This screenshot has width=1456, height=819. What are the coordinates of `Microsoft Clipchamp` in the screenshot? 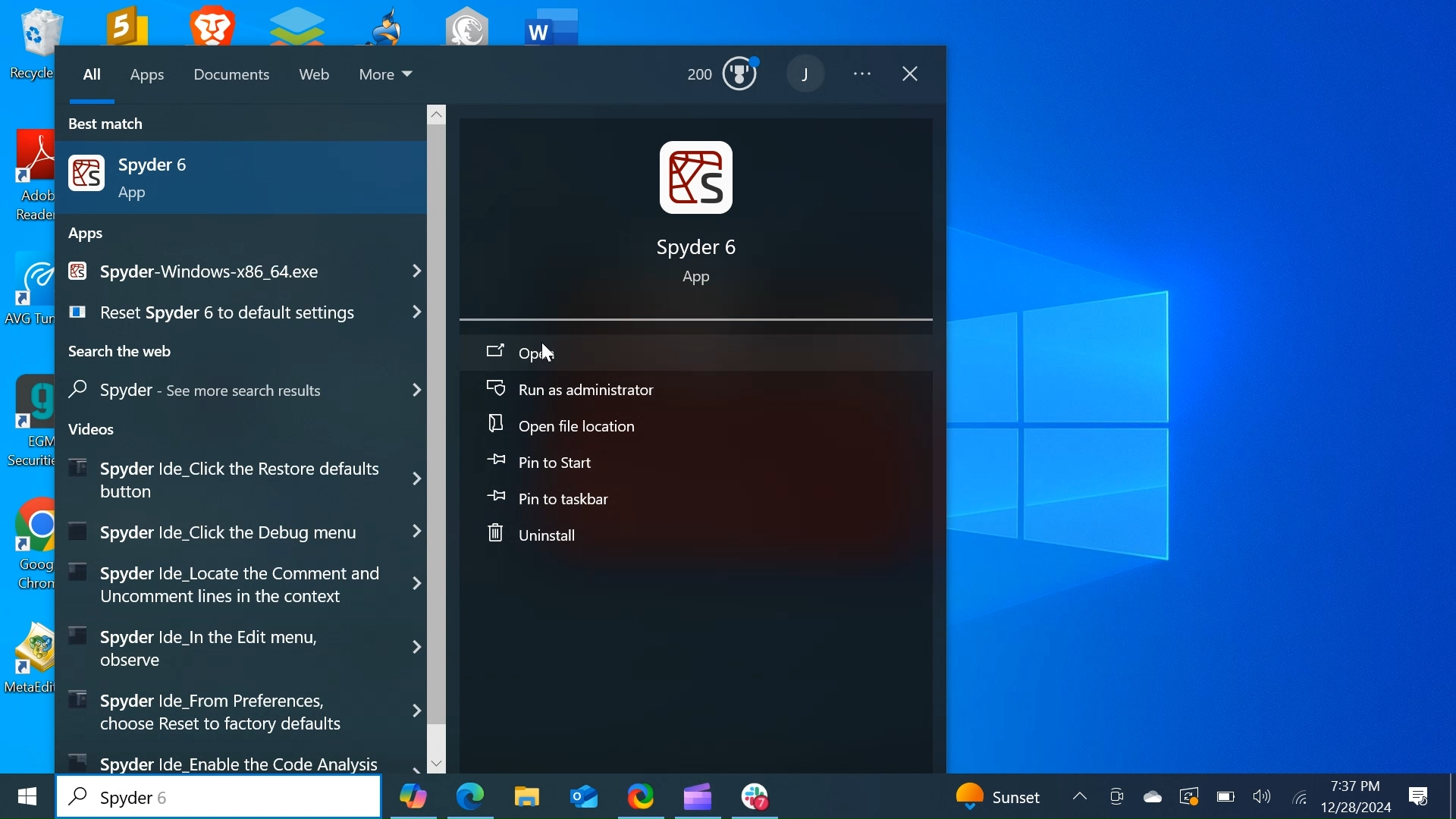 It's located at (697, 795).